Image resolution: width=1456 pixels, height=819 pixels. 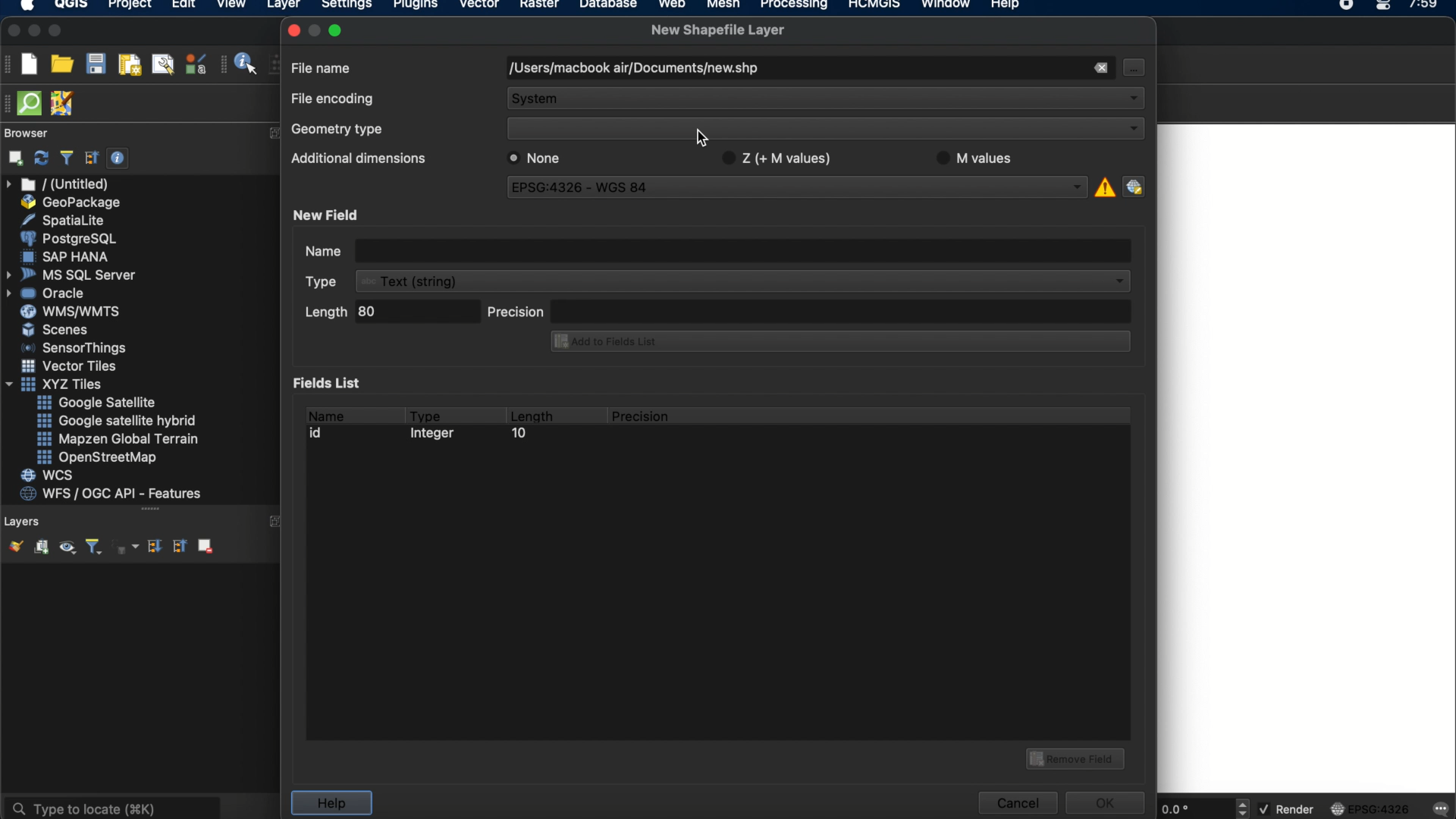 I want to click on toggle buttons, so click(x=1244, y=808).